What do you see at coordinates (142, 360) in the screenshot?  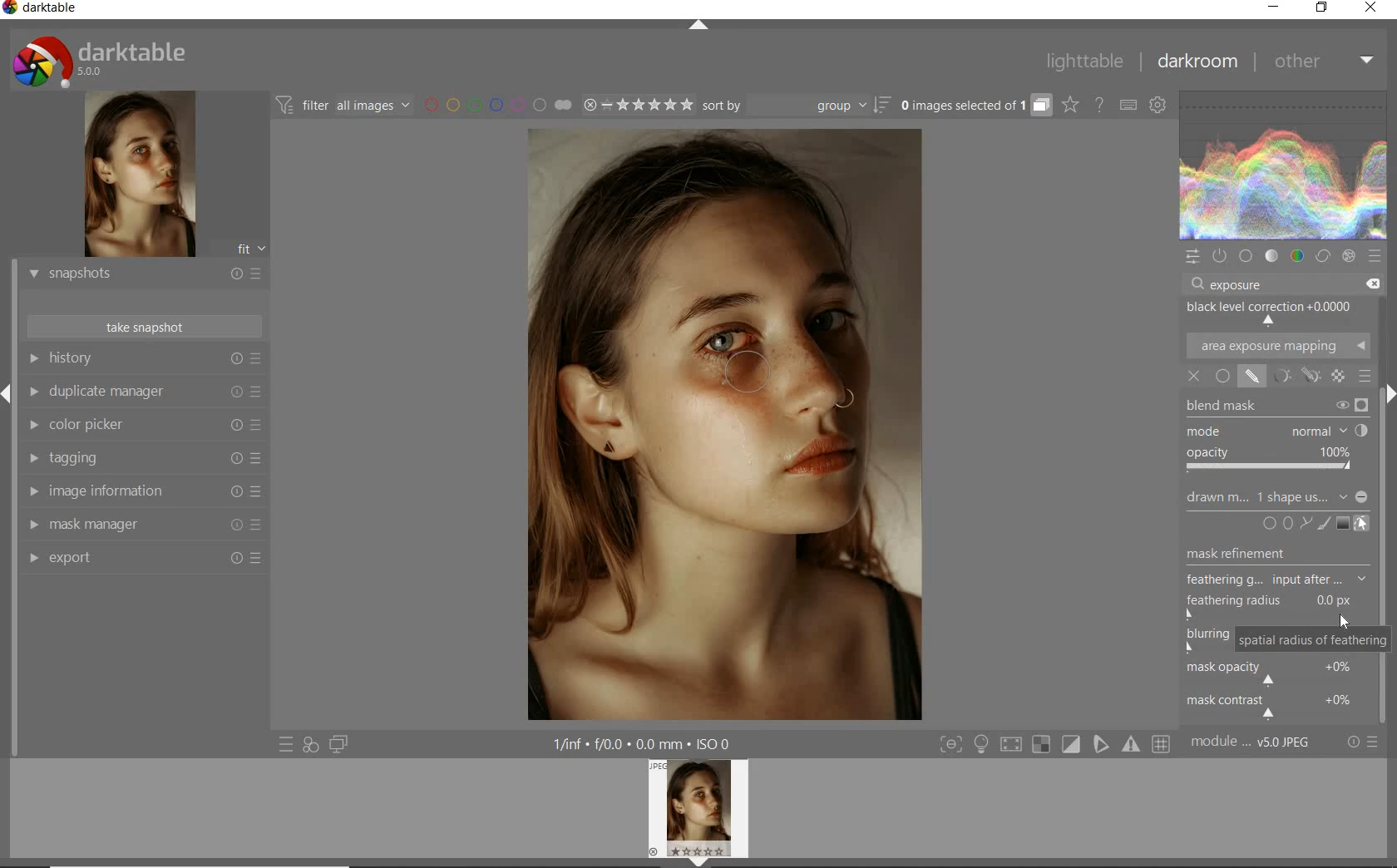 I see `history` at bounding box center [142, 360].